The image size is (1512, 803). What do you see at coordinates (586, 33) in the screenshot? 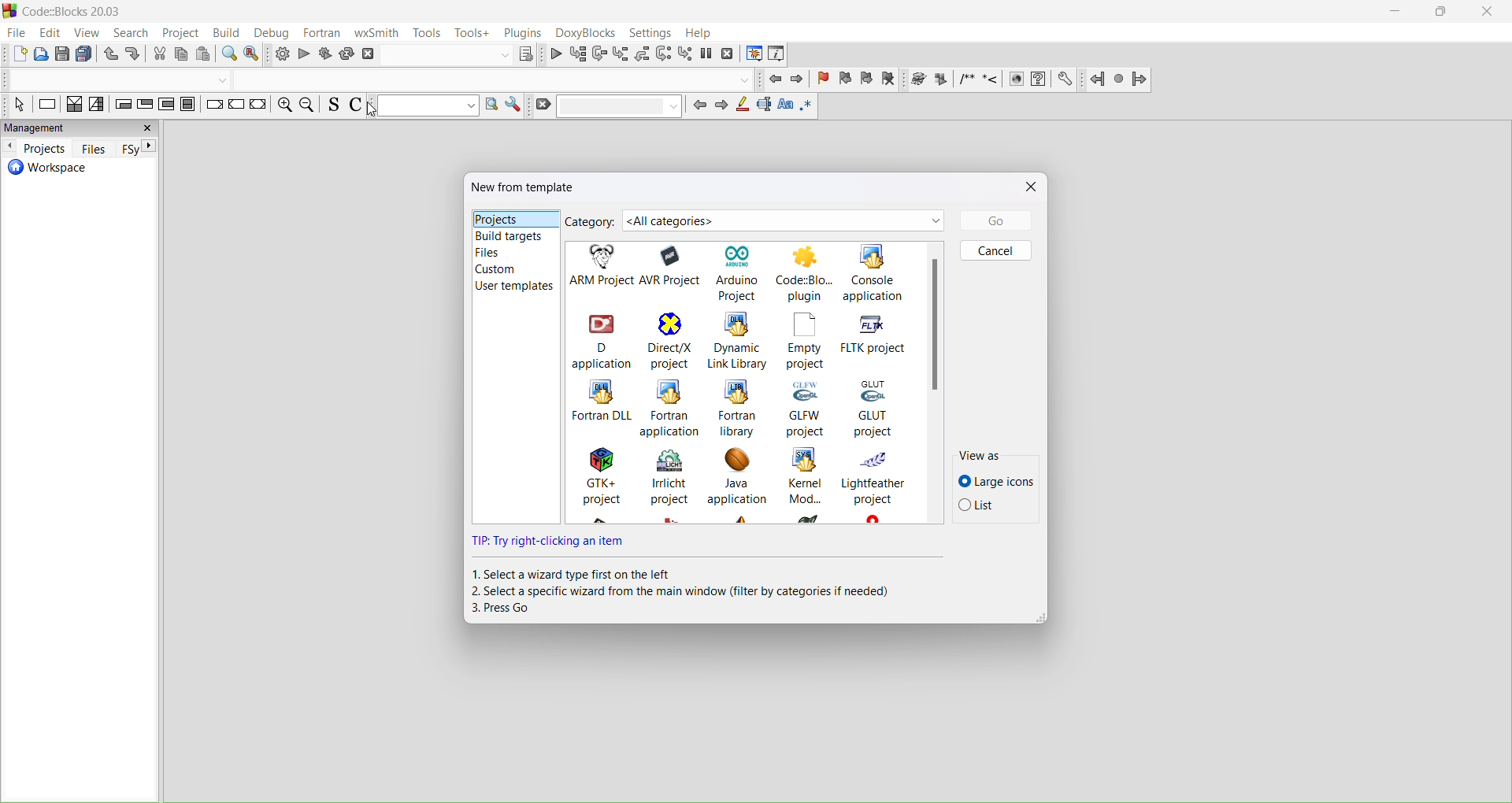
I see `Doxyblocks` at bounding box center [586, 33].